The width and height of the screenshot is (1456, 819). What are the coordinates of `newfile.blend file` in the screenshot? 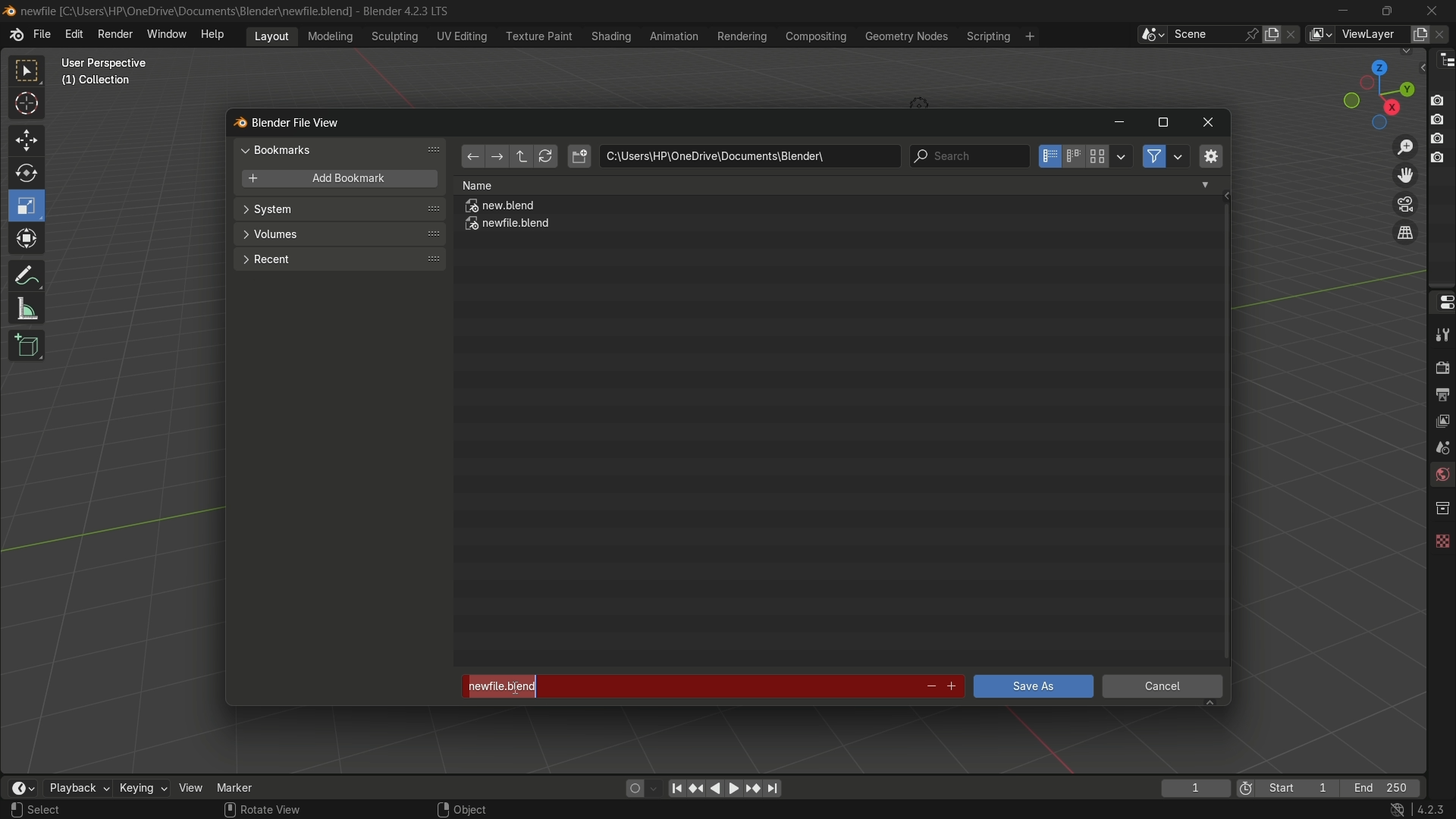 It's located at (509, 226).